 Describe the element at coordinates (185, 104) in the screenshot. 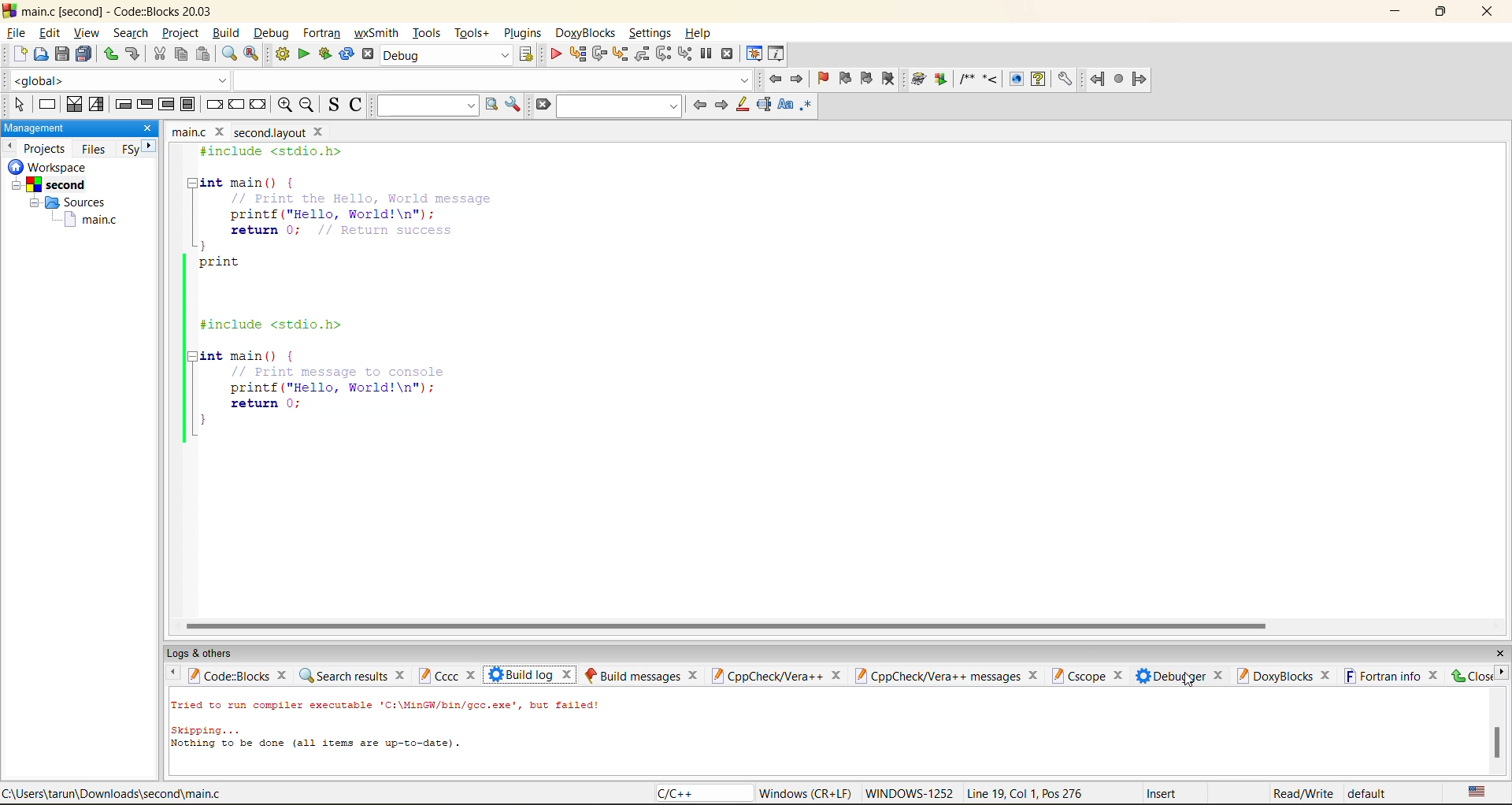

I see `block instruction` at that location.